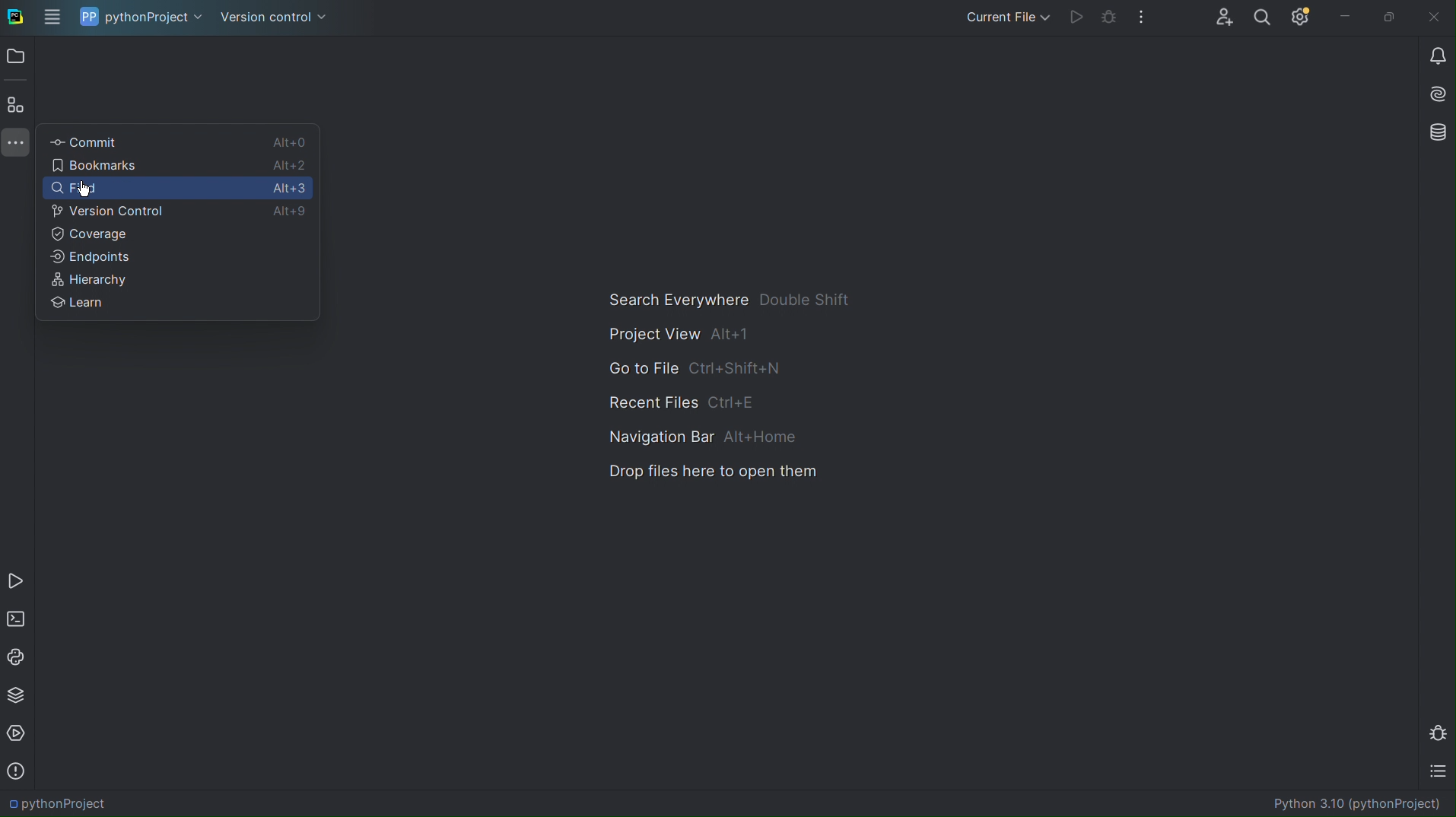 The image size is (1456, 817). I want to click on Terminal, so click(17, 620).